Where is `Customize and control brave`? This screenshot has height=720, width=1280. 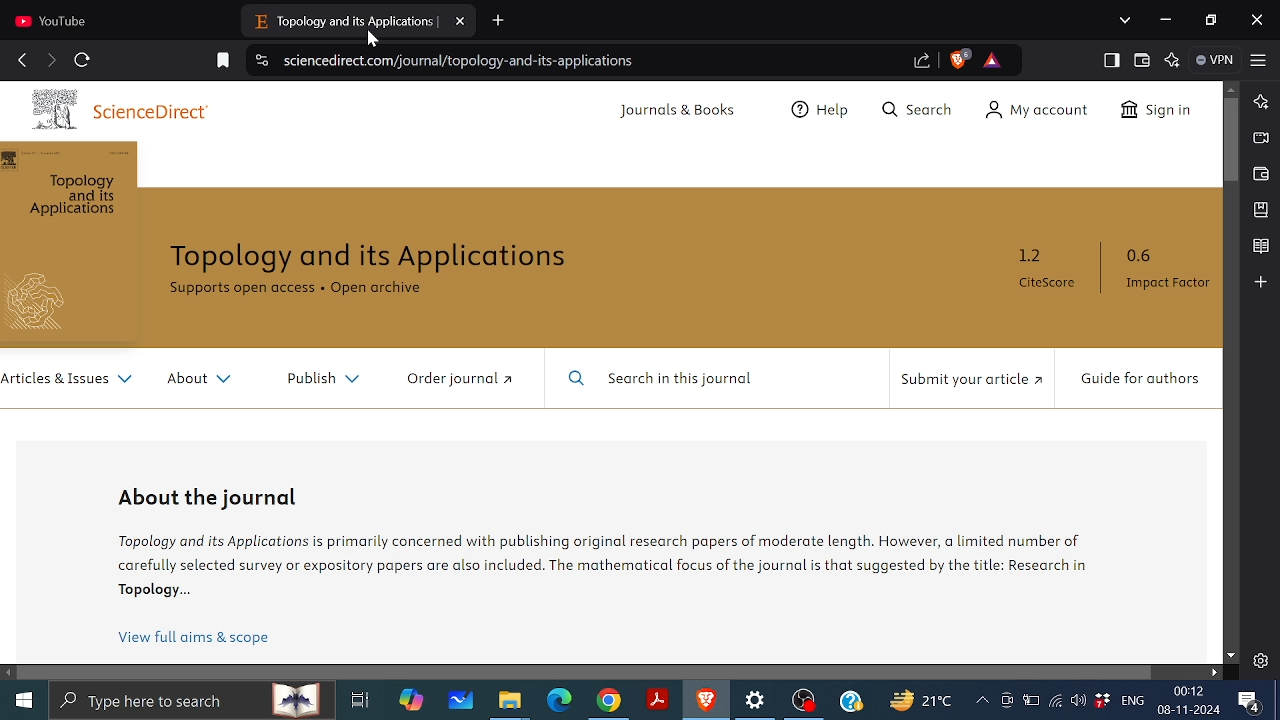 Customize and control brave is located at coordinates (1259, 59).